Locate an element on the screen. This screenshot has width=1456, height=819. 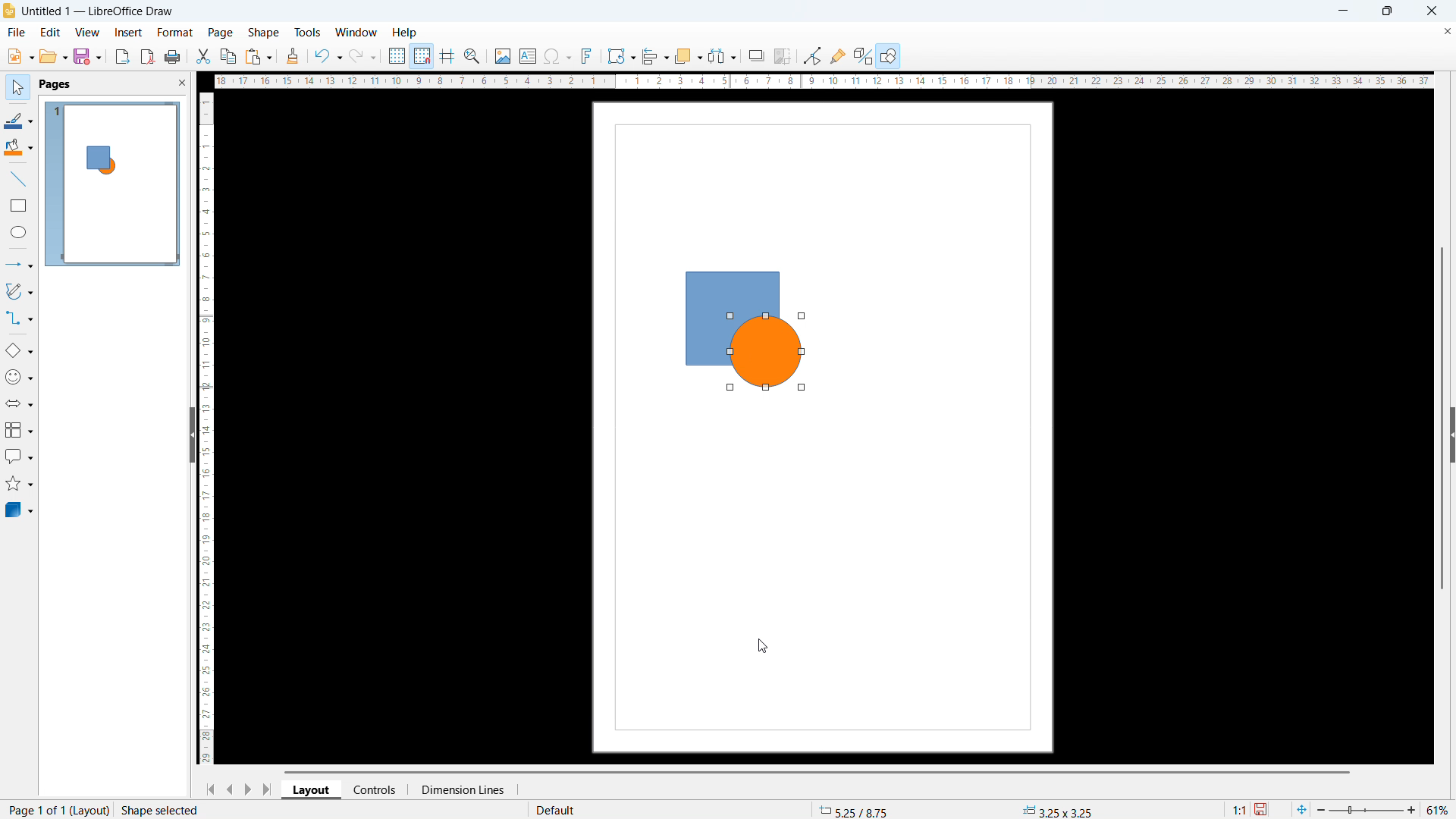
Controls  is located at coordinates (376, 790).